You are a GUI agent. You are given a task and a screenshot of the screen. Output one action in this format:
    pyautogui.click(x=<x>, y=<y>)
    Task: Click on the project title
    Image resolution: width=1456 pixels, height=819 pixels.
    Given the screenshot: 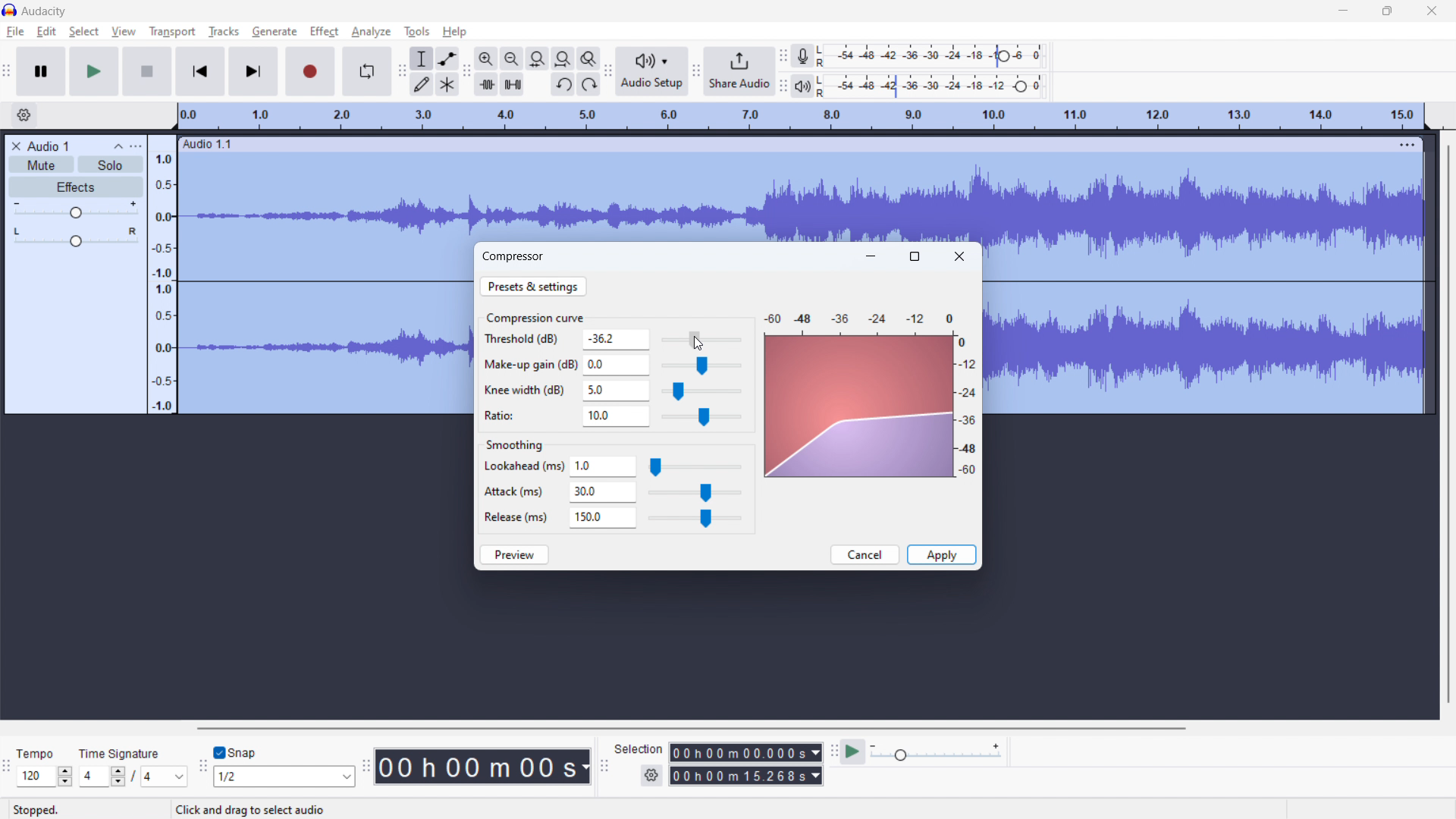 What is the action you would take?
    pyautogui.click(x=48, y=146)
    